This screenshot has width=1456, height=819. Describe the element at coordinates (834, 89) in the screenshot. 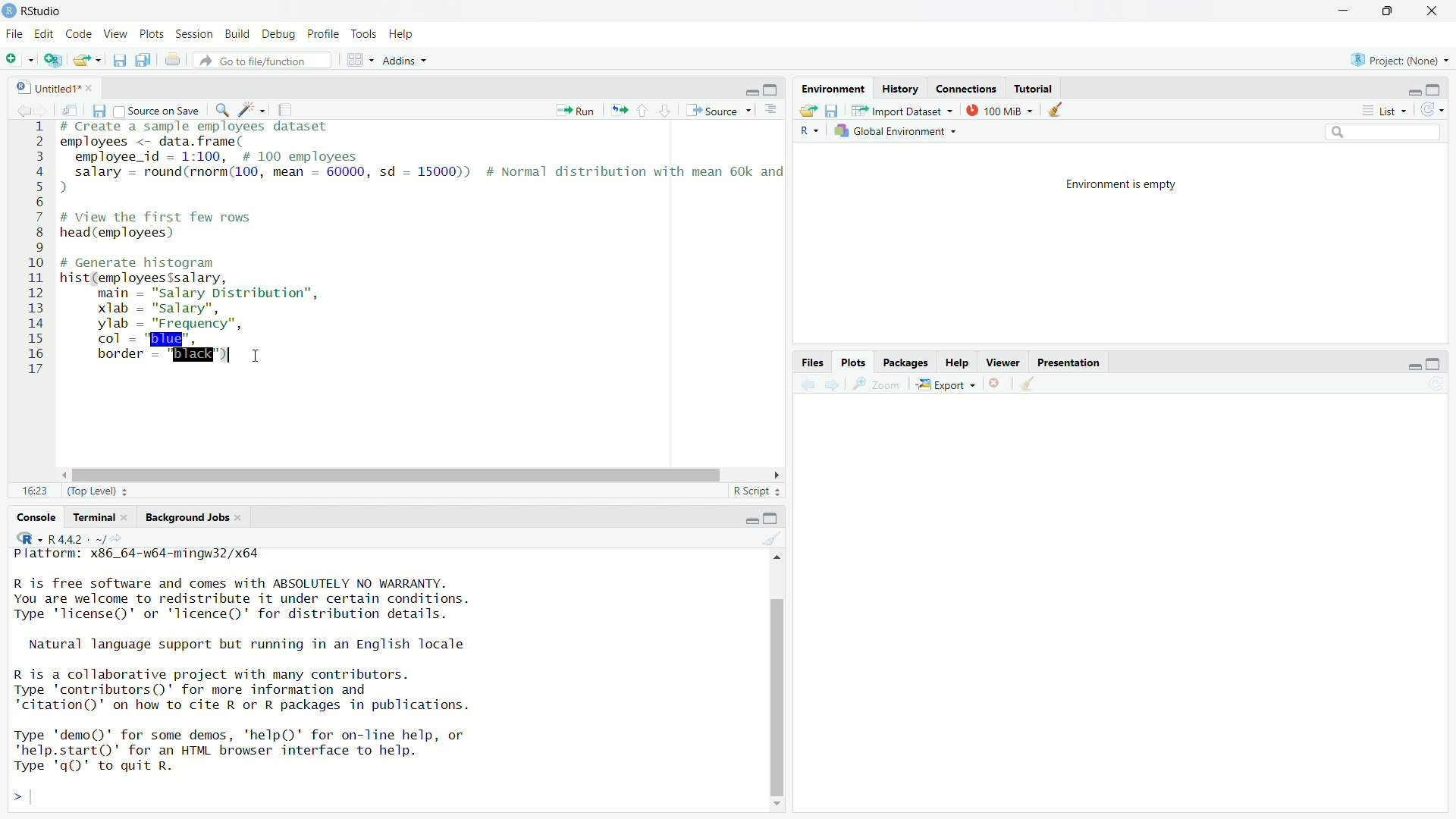

I see `Environment` at that location.